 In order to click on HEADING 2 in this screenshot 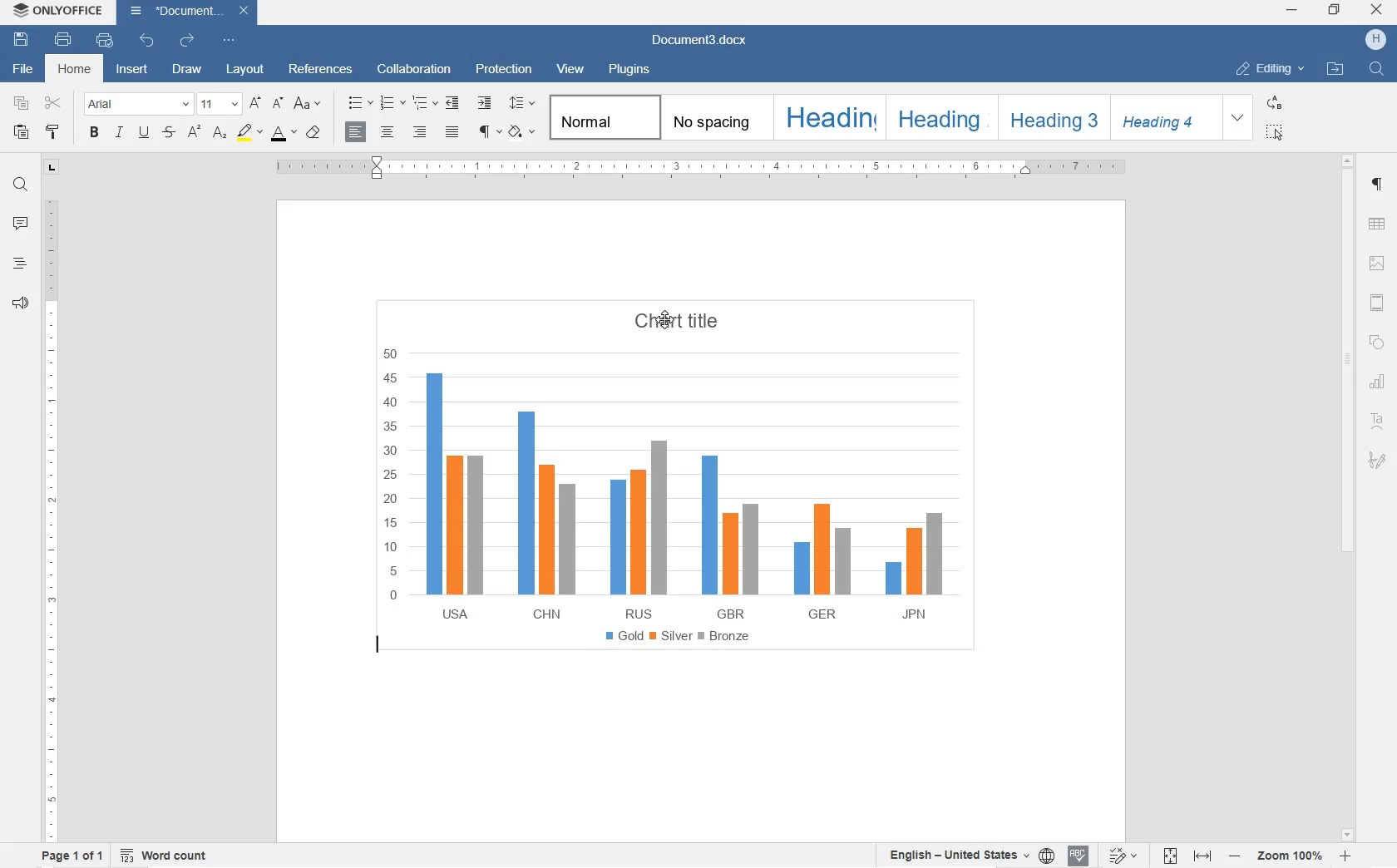, I will do `click(939, 118)`.